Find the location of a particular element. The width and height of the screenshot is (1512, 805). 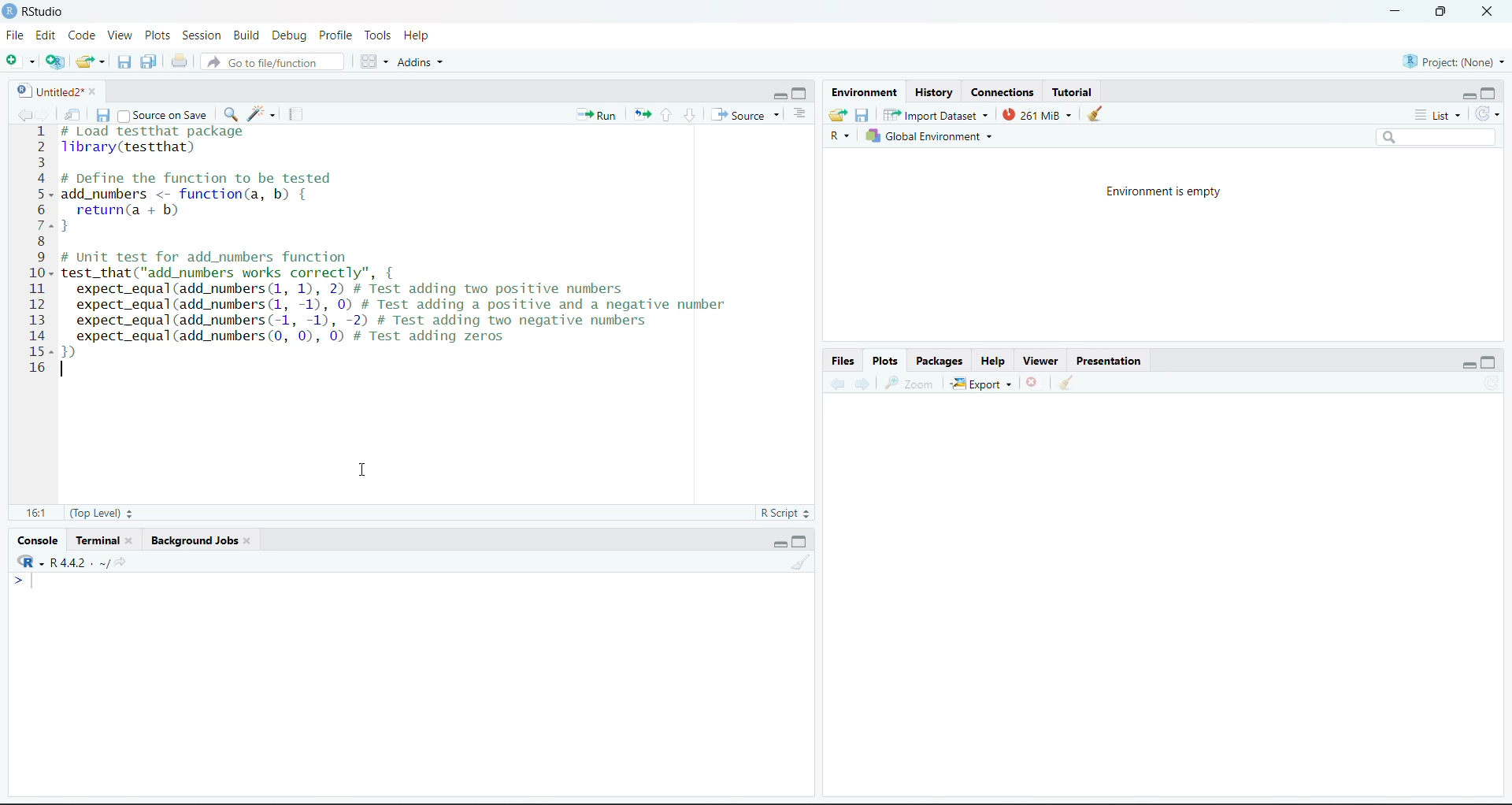

Print is located at coordinates (180, 61).